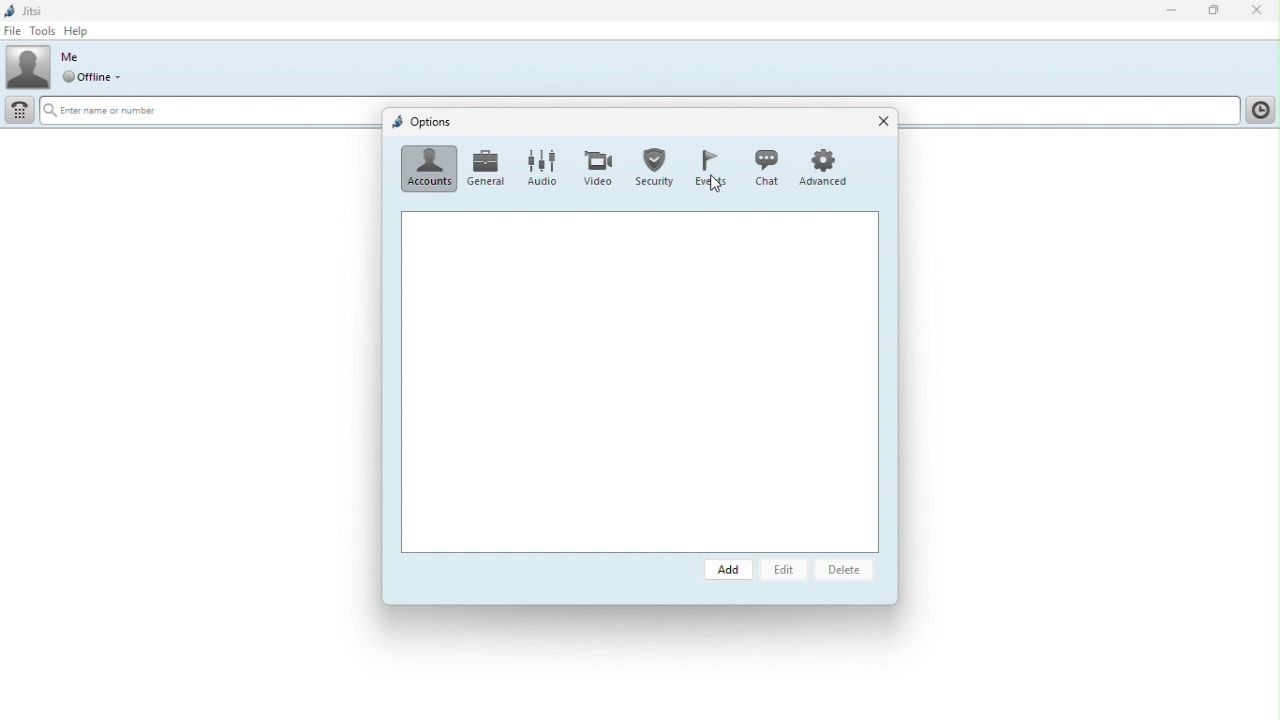 This screenshot has width=1280, height=720. I want to click on Tools, so click(42, 31).